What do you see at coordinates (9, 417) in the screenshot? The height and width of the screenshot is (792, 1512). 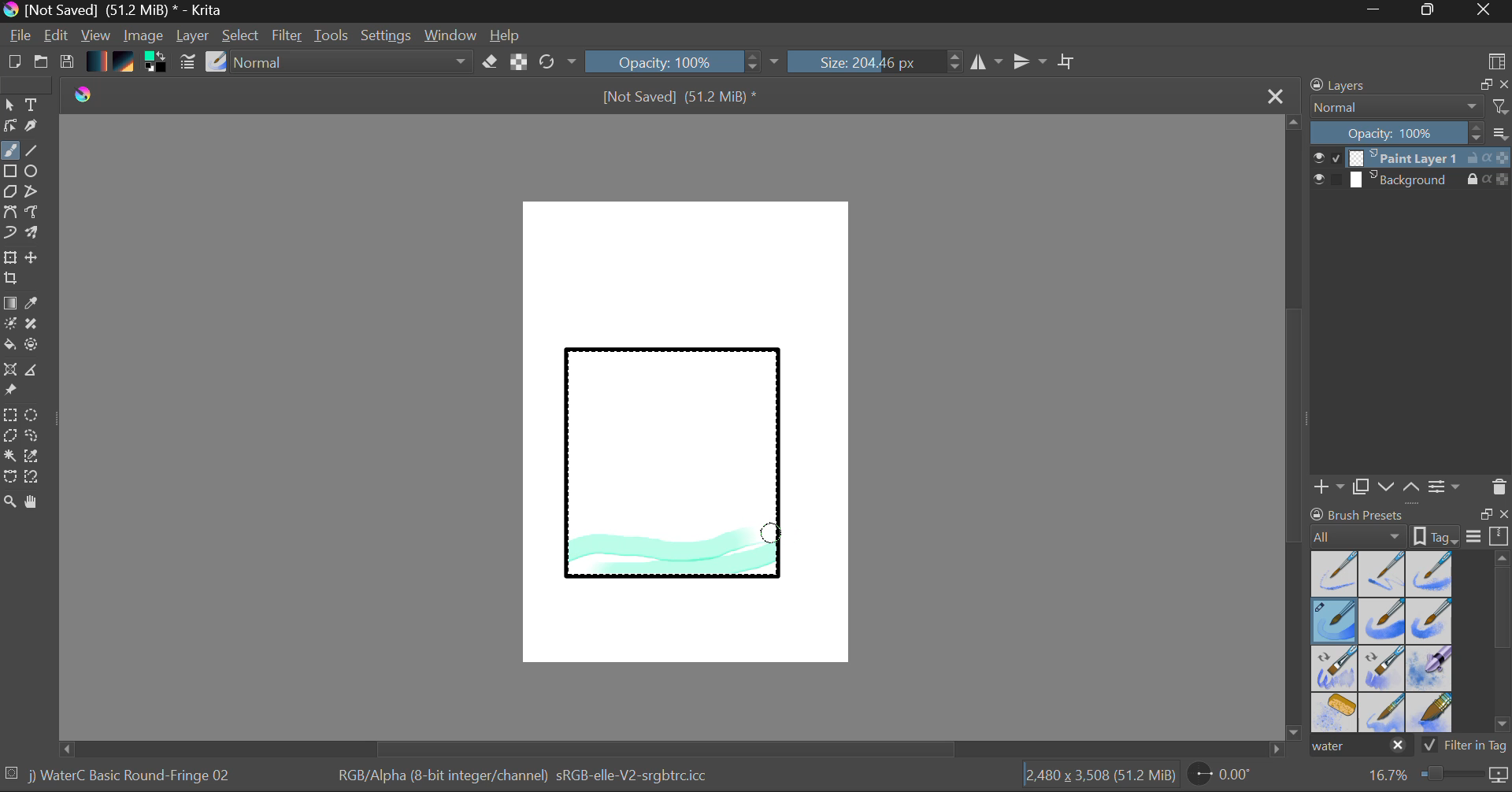 I see `Rectangle Selection Tool` at bounding box center [9, 417].